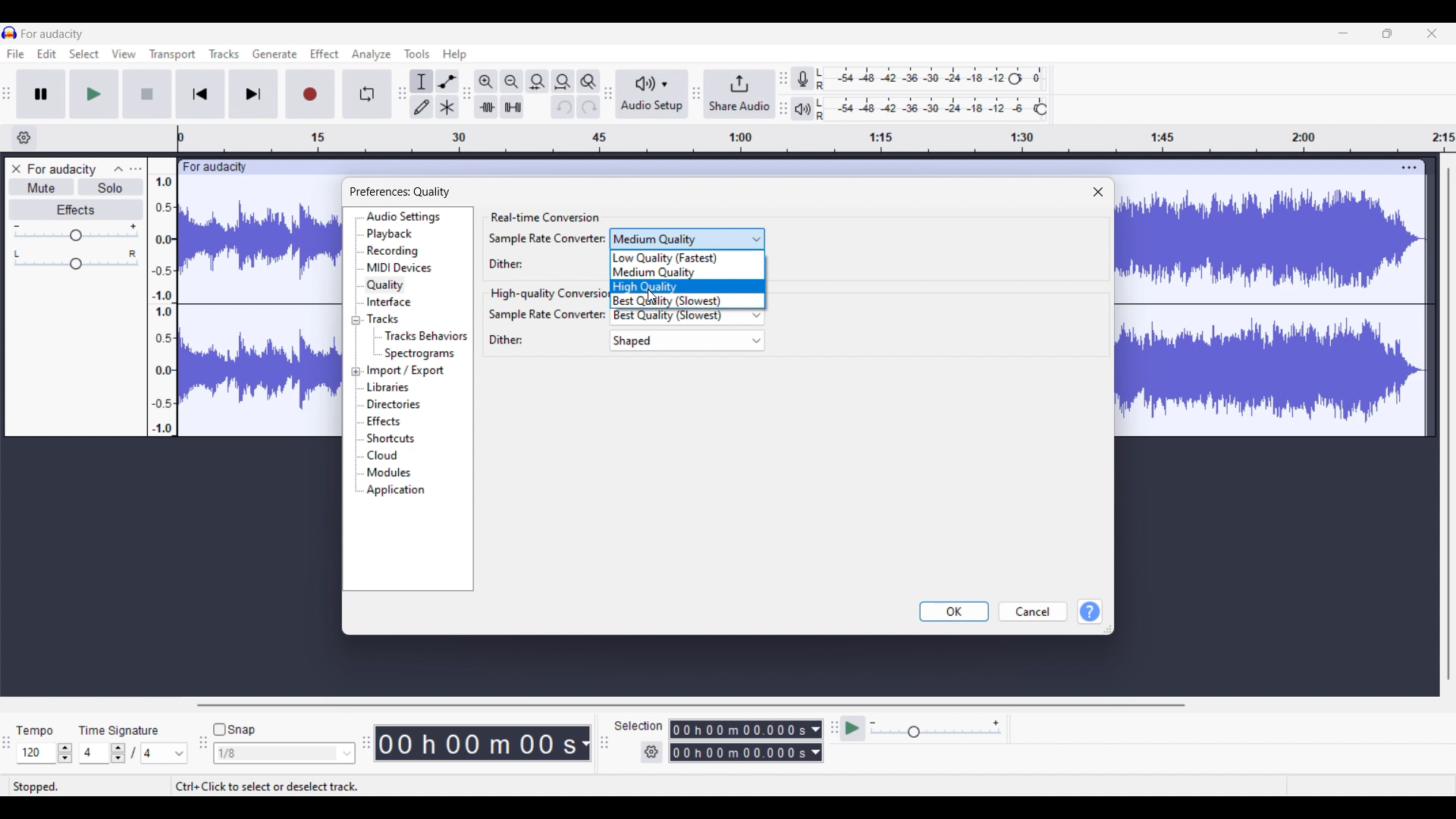  What do you see at coordinates (366, 94) in the screenshot?
I see `Enable looping` at bounding box center [366, 94].